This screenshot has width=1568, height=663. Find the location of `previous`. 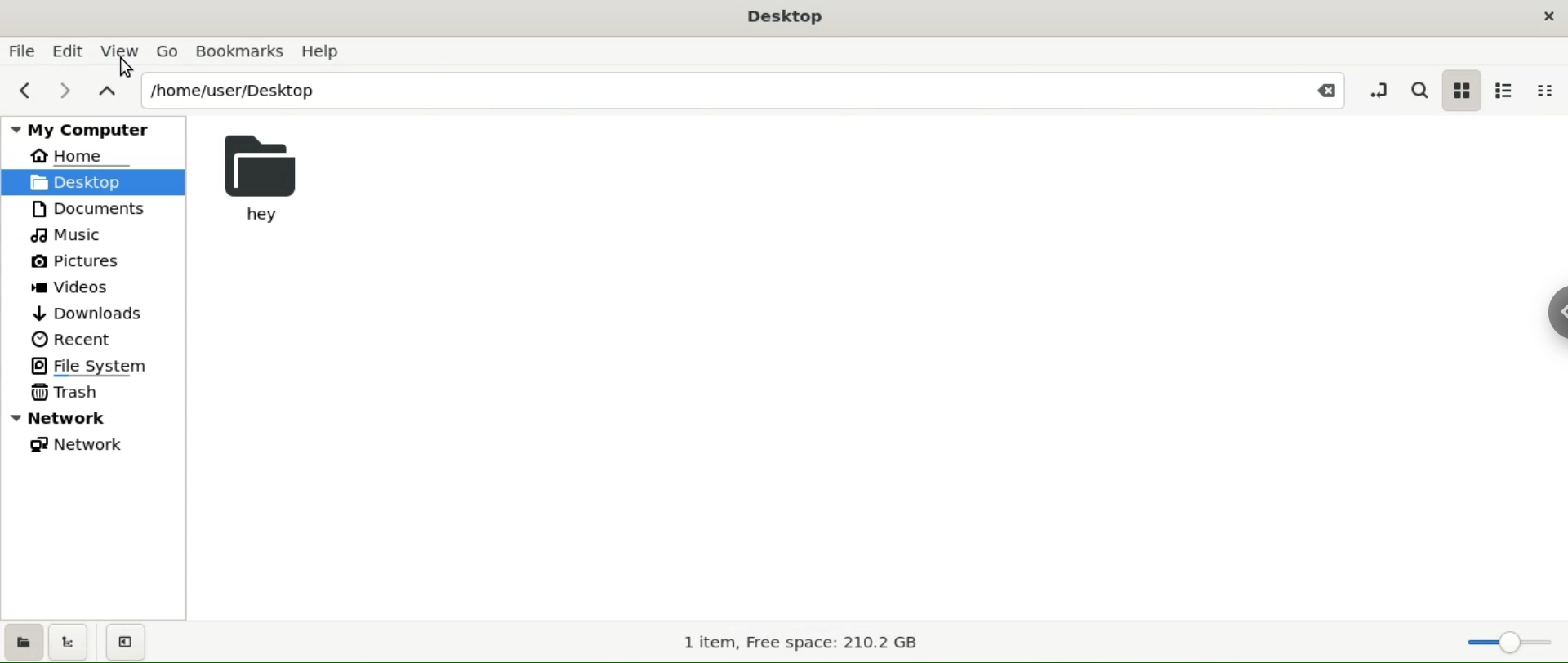

previous is located at coordinates (23, 91).